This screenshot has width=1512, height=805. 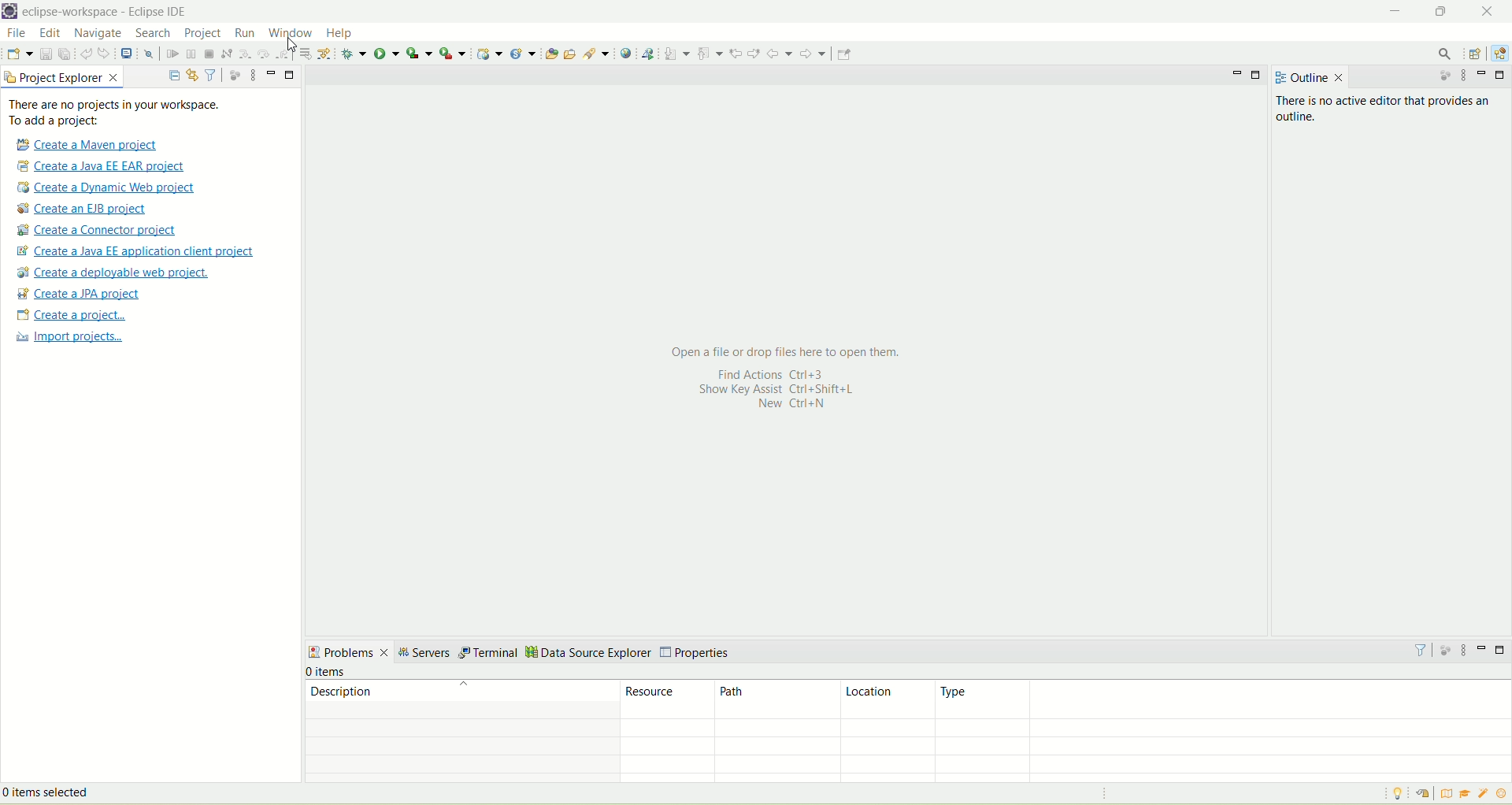 I want to click on restore welcome, so click(x=1429, y=795).